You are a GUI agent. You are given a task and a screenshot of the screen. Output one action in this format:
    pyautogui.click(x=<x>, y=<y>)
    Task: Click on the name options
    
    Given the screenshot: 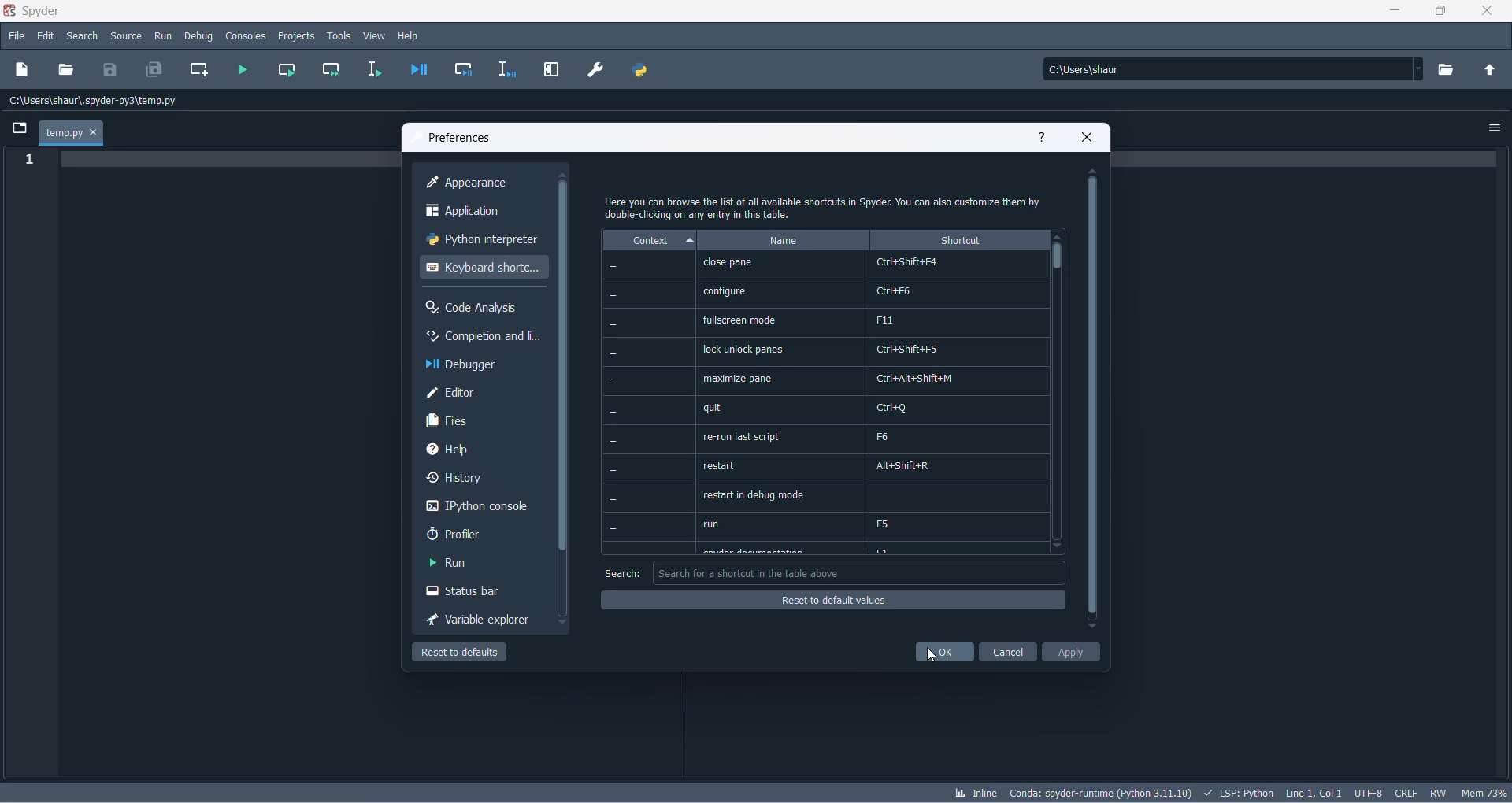 What is the action you would take?
    pyautogui.click(x=783, y=403)
    